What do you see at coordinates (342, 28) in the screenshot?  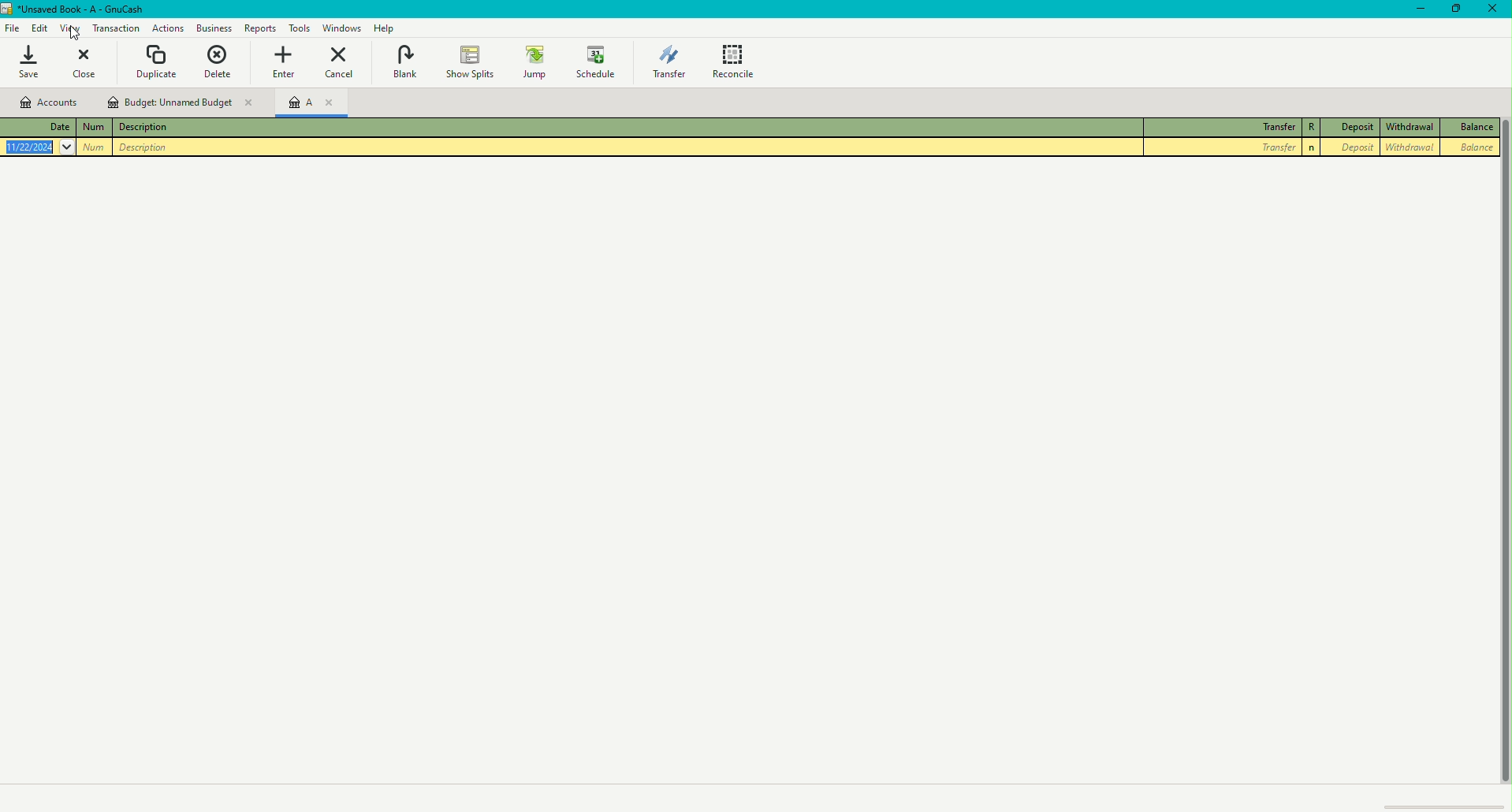 I see `Windows` at bounding box center [342, 28].